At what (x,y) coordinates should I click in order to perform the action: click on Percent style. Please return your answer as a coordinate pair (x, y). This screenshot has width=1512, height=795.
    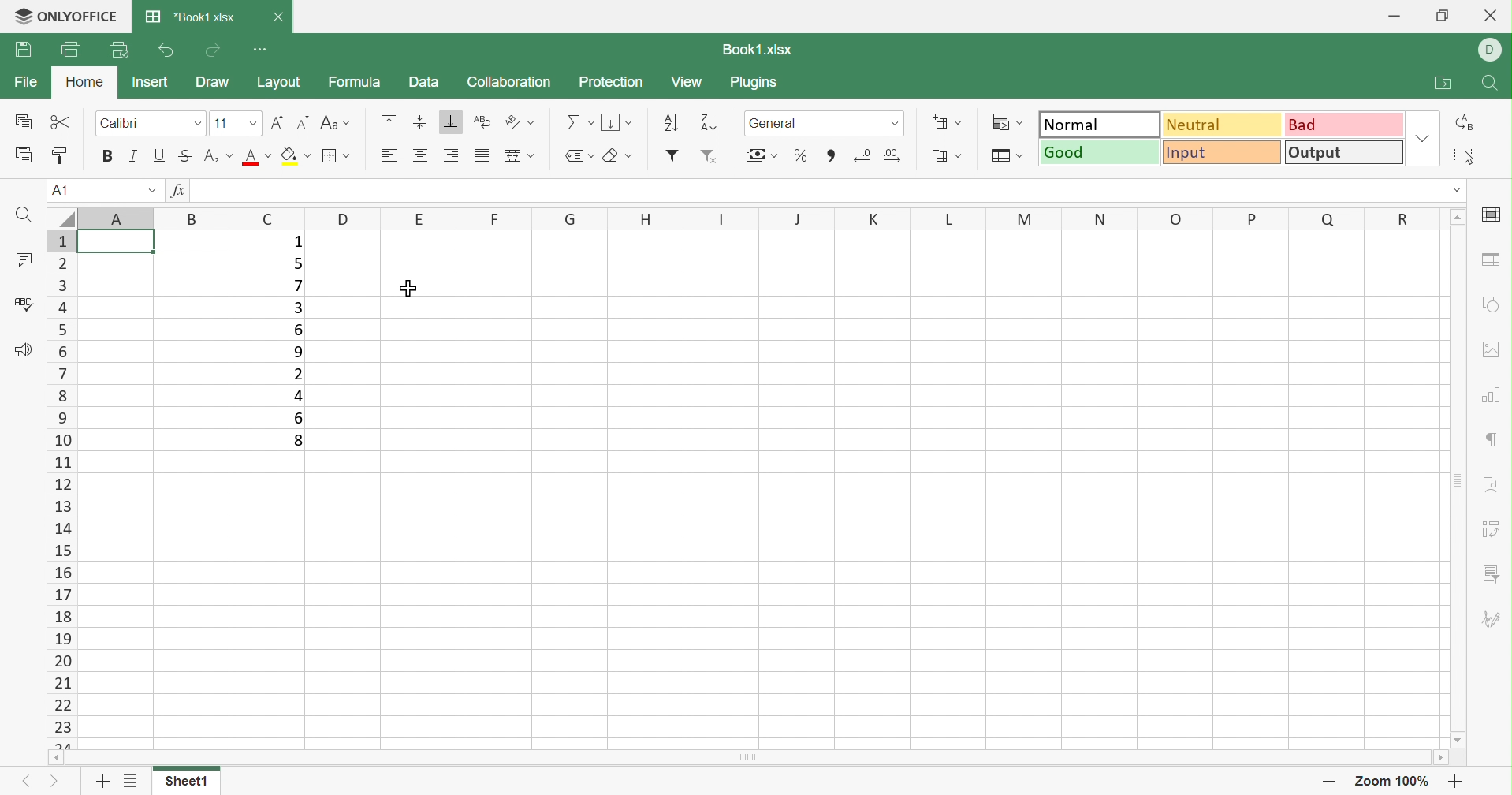
    Looking at the image, I should click on (801, 155).